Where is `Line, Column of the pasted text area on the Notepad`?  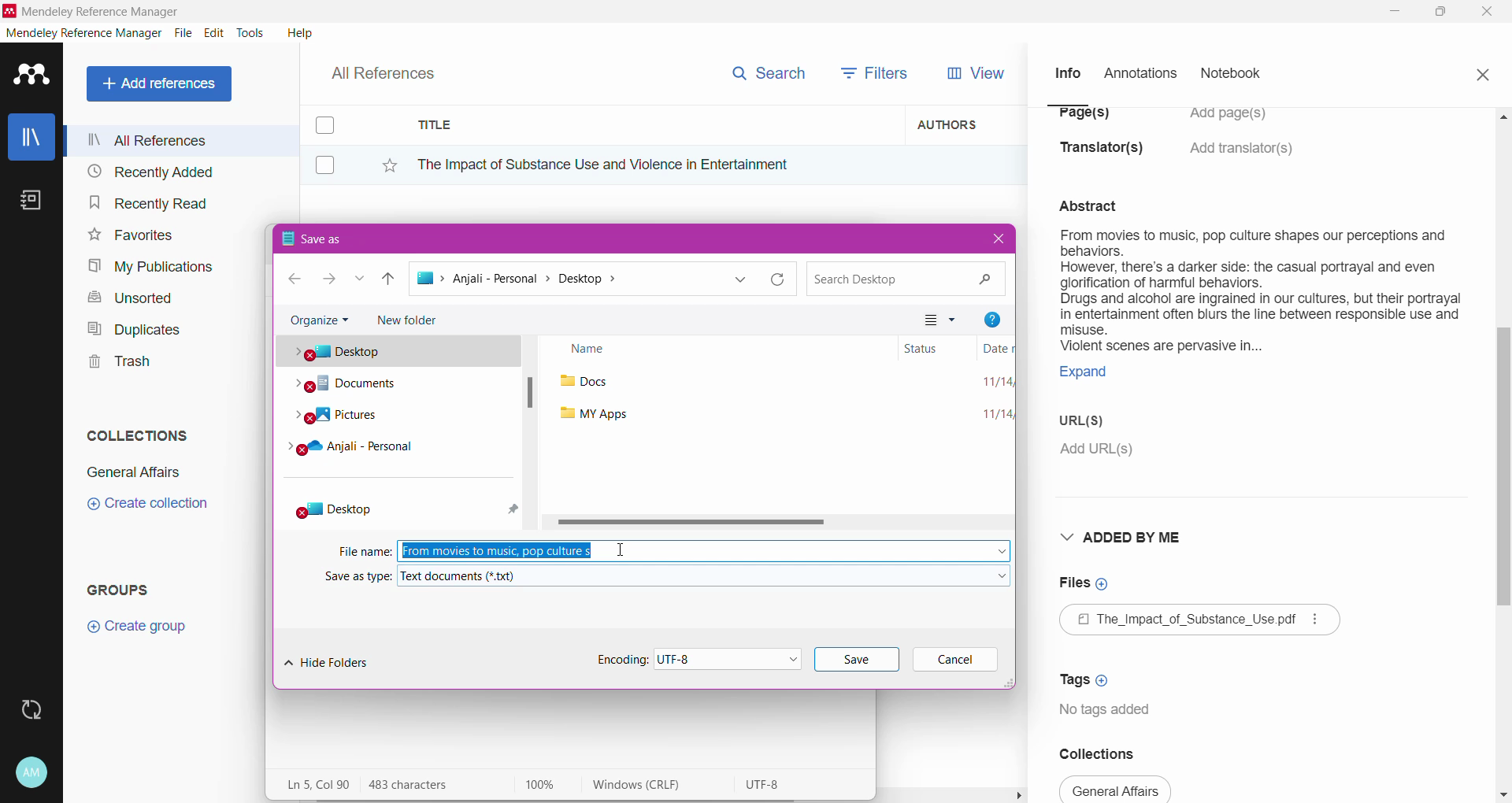 Line, Column of the pasted text area on the Notepad is located at coordinates (317, 784).